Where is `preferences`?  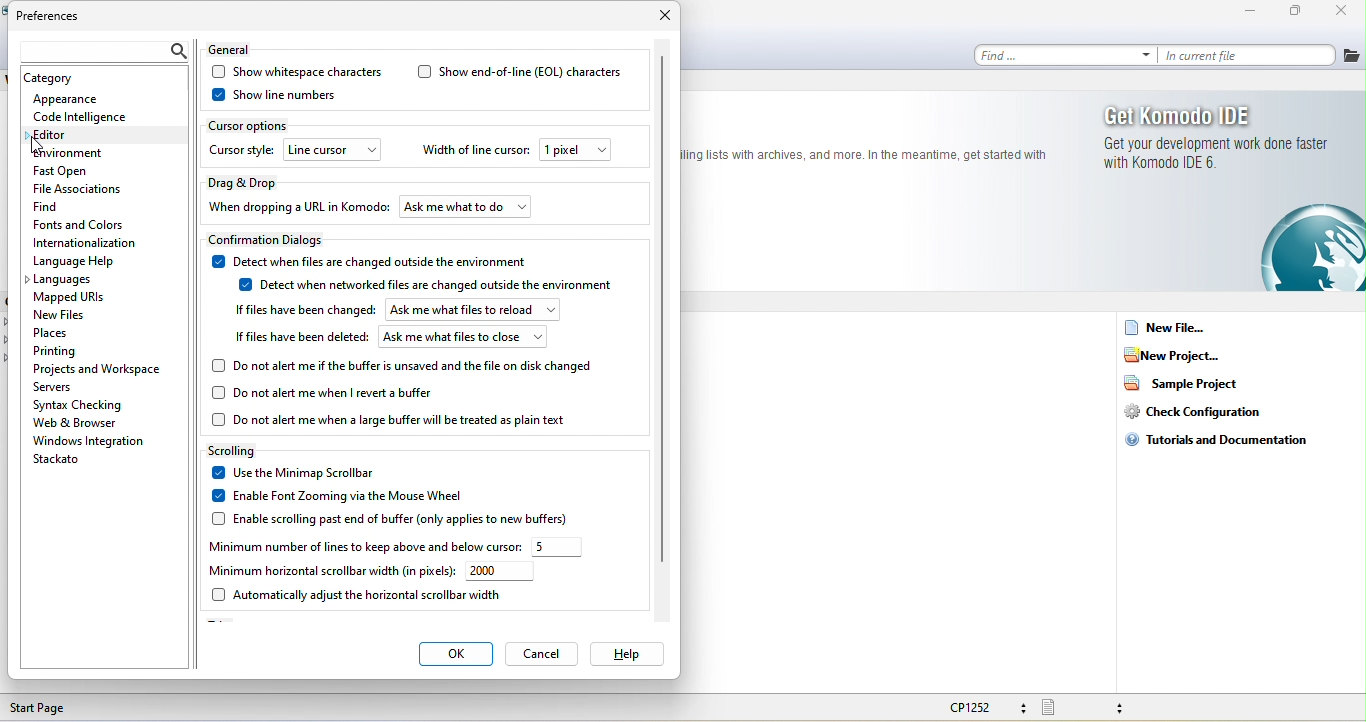
preferences is located at coordinates (51, 18).